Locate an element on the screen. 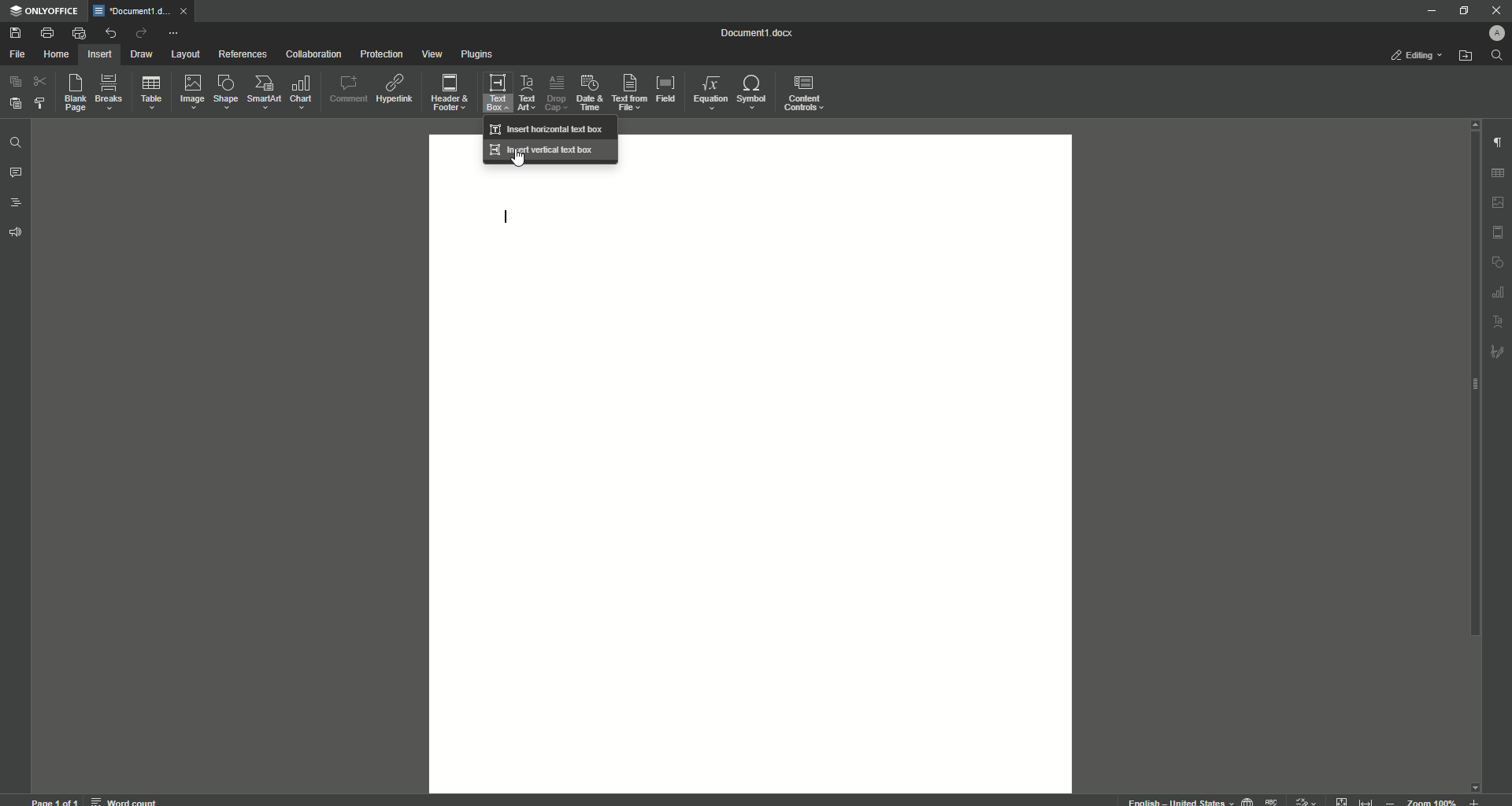 This screenshot has width=1512, height=806. Image is located at coordinates (191, 91).